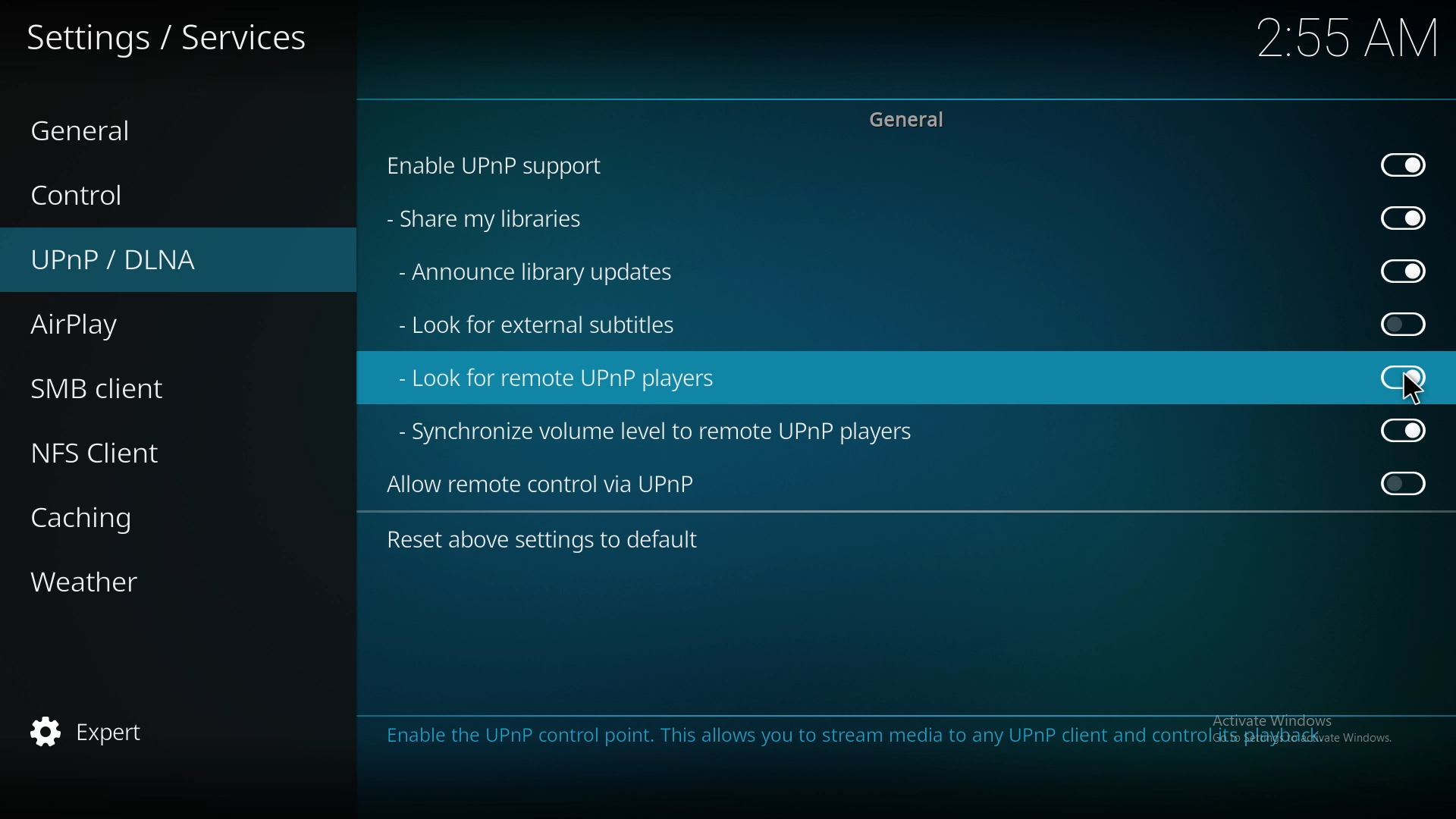  What do you see at coordinates (510, 165) in the screenshot?
I see `enable upnp support` at bounding box center [510, 165].